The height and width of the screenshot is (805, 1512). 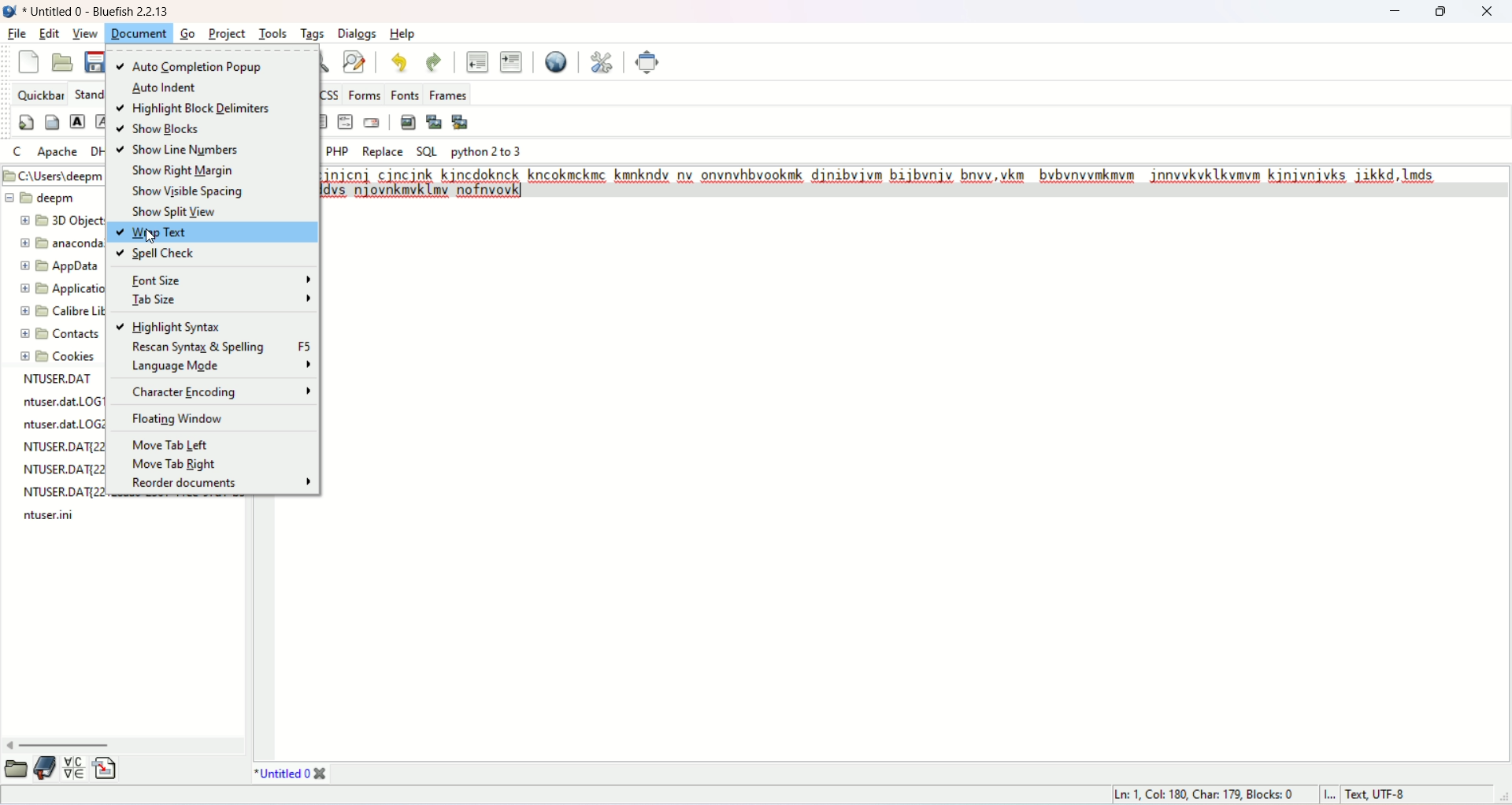 What do you see at coordinates (191, 110) in the screenshot?
I see `highlight block delimiters` at bounding box center [191, 110].